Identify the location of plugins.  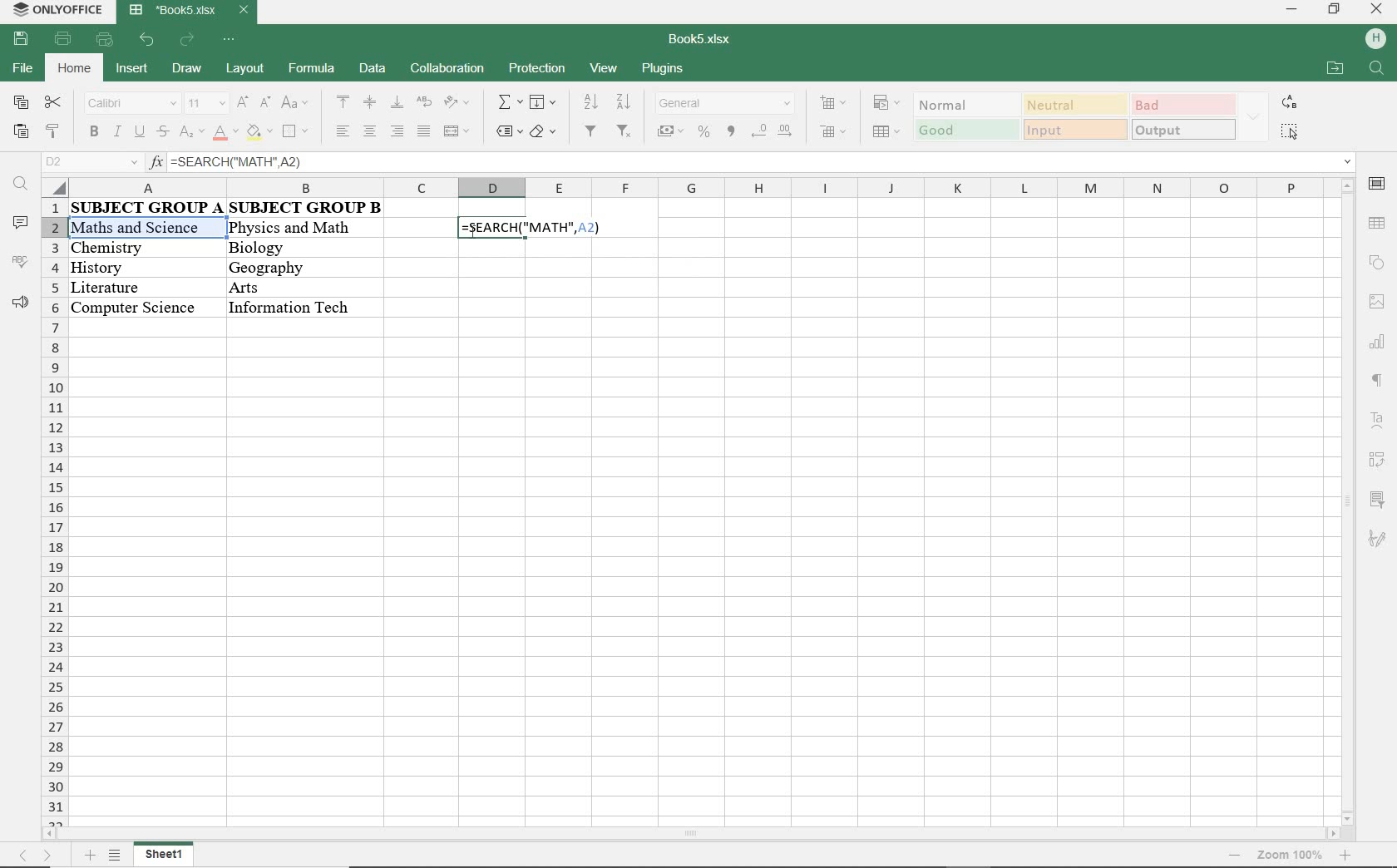
(661, 70).